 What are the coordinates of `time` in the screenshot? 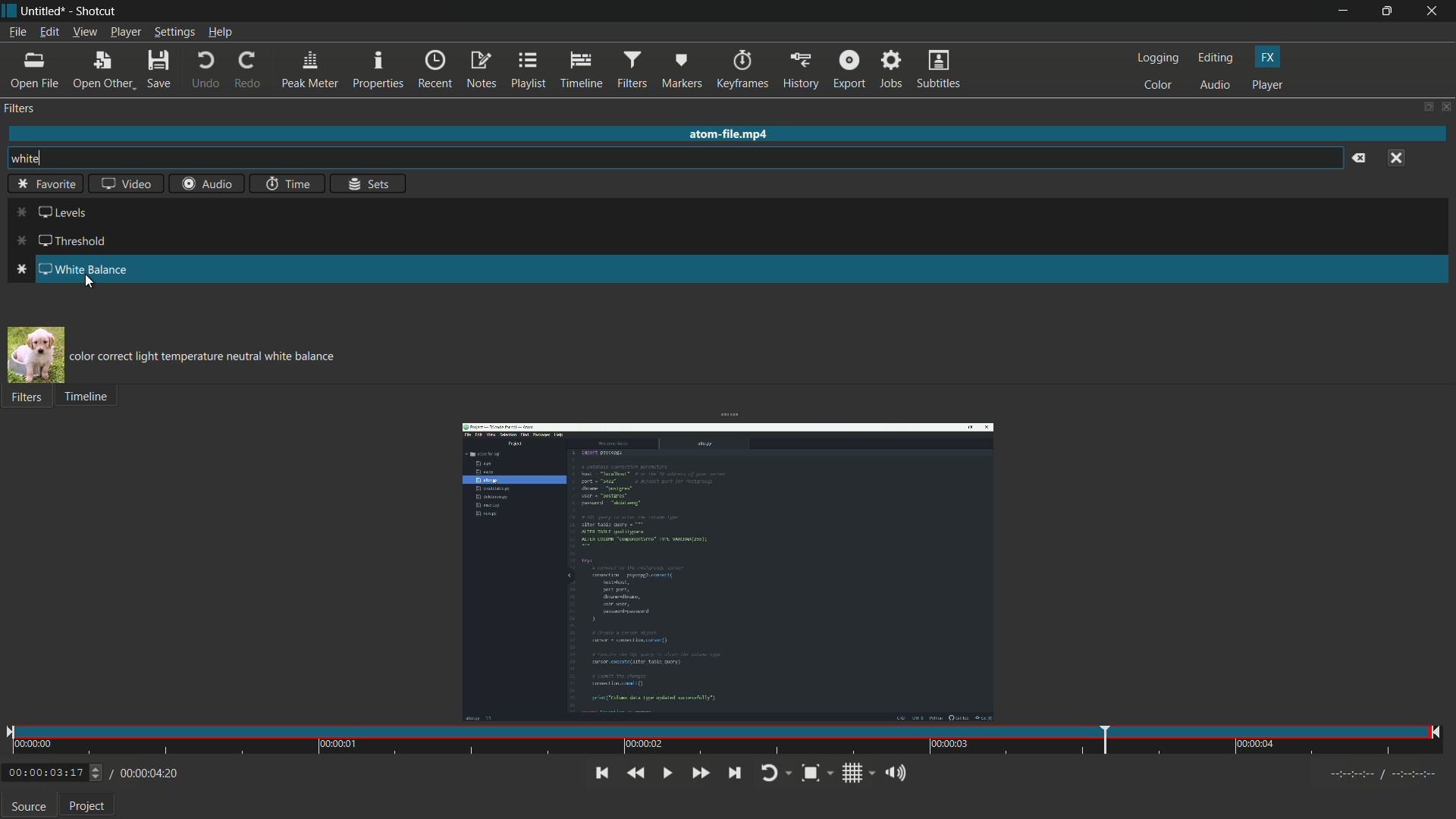 It's located at (285, 184).